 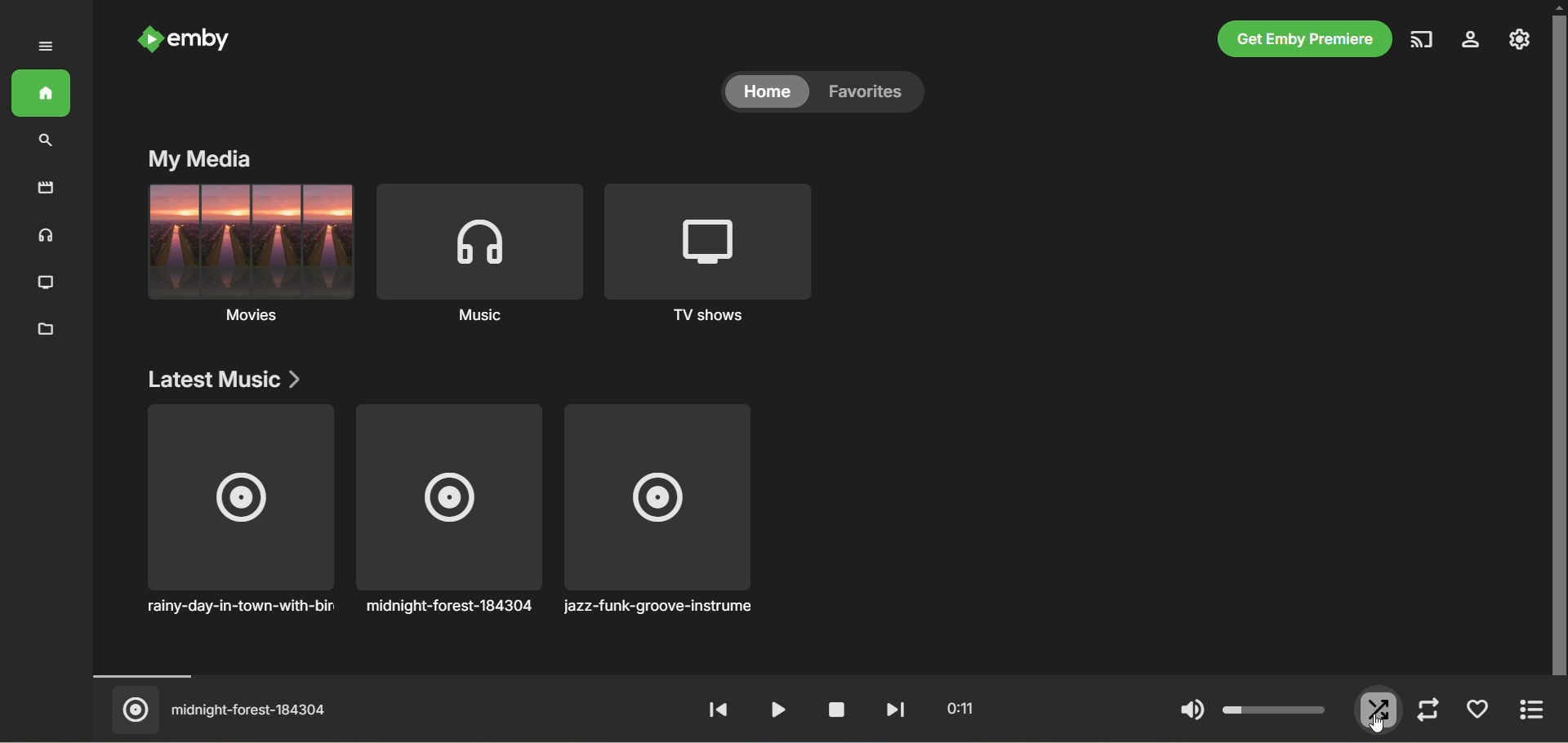 What do you see at coordinates (891, 710) in the screenshot?
I see `fast forward` at bounding box center [891, 710].